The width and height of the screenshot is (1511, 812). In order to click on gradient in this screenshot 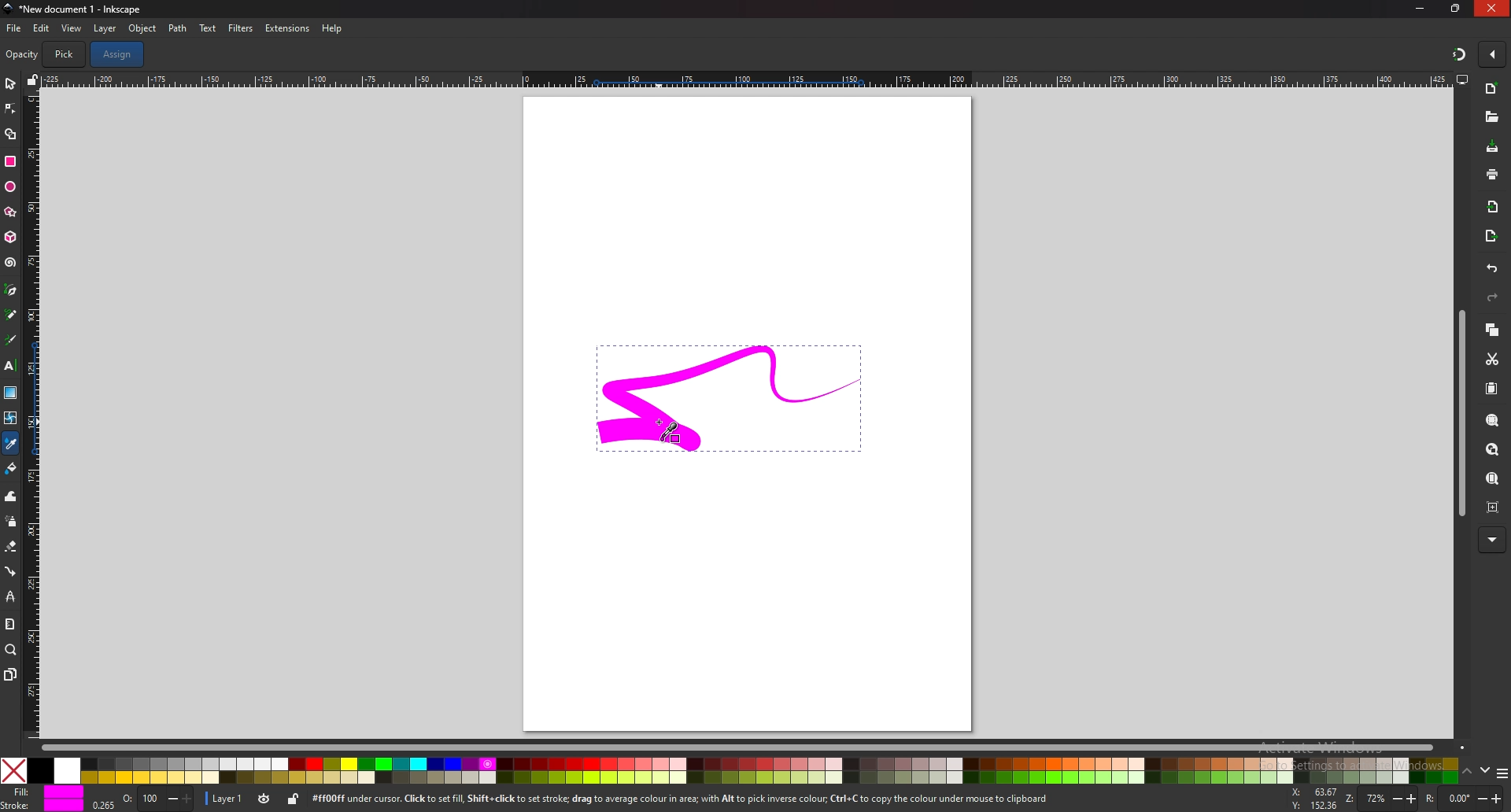, I will do `click(10, 391)`.